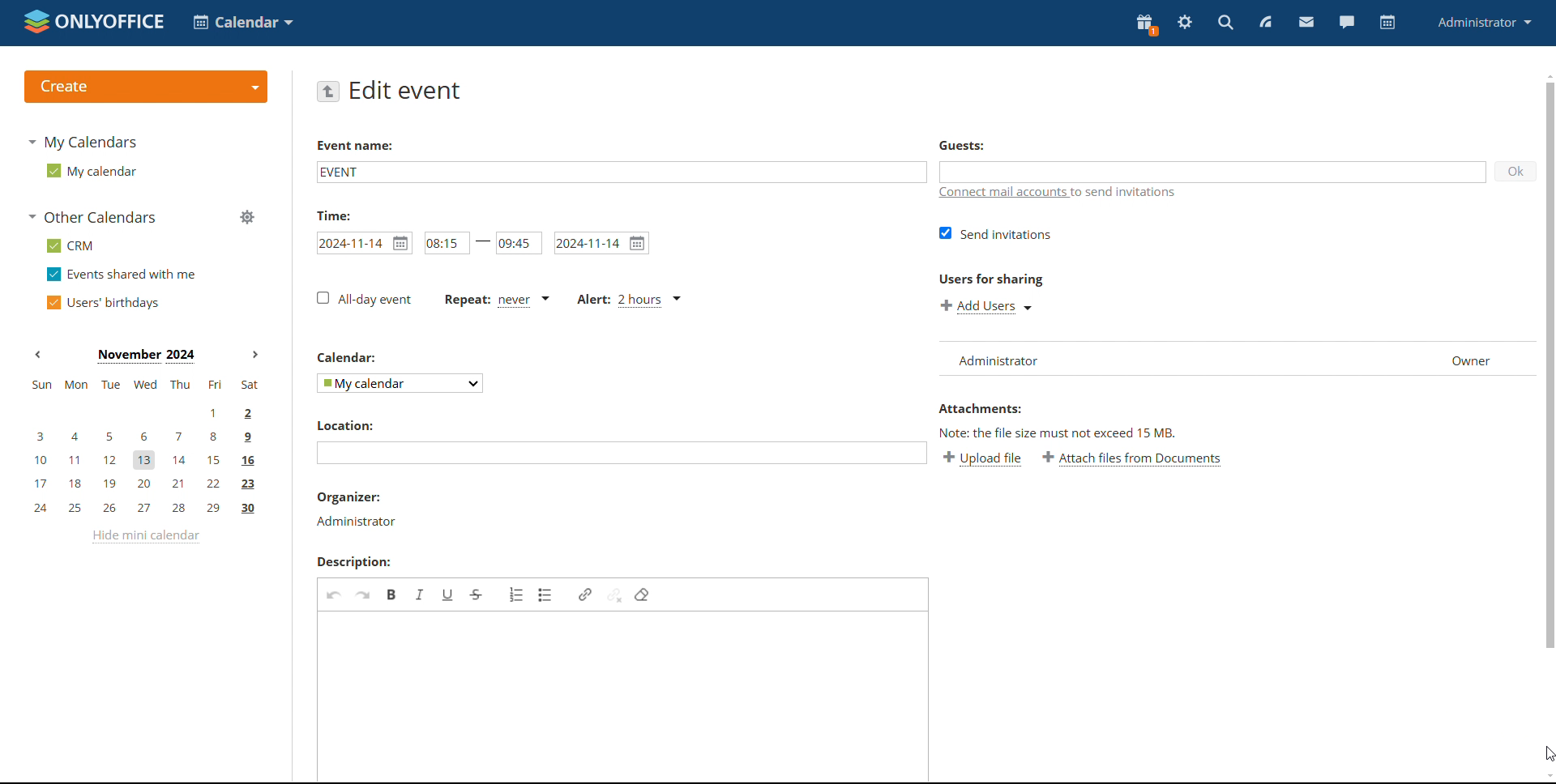 The height and width of the screenshot is (784, 1556). What do you see at coordinates (982, 459) in the screenshot?
I see `upload file` at bounding box center [982, 459].